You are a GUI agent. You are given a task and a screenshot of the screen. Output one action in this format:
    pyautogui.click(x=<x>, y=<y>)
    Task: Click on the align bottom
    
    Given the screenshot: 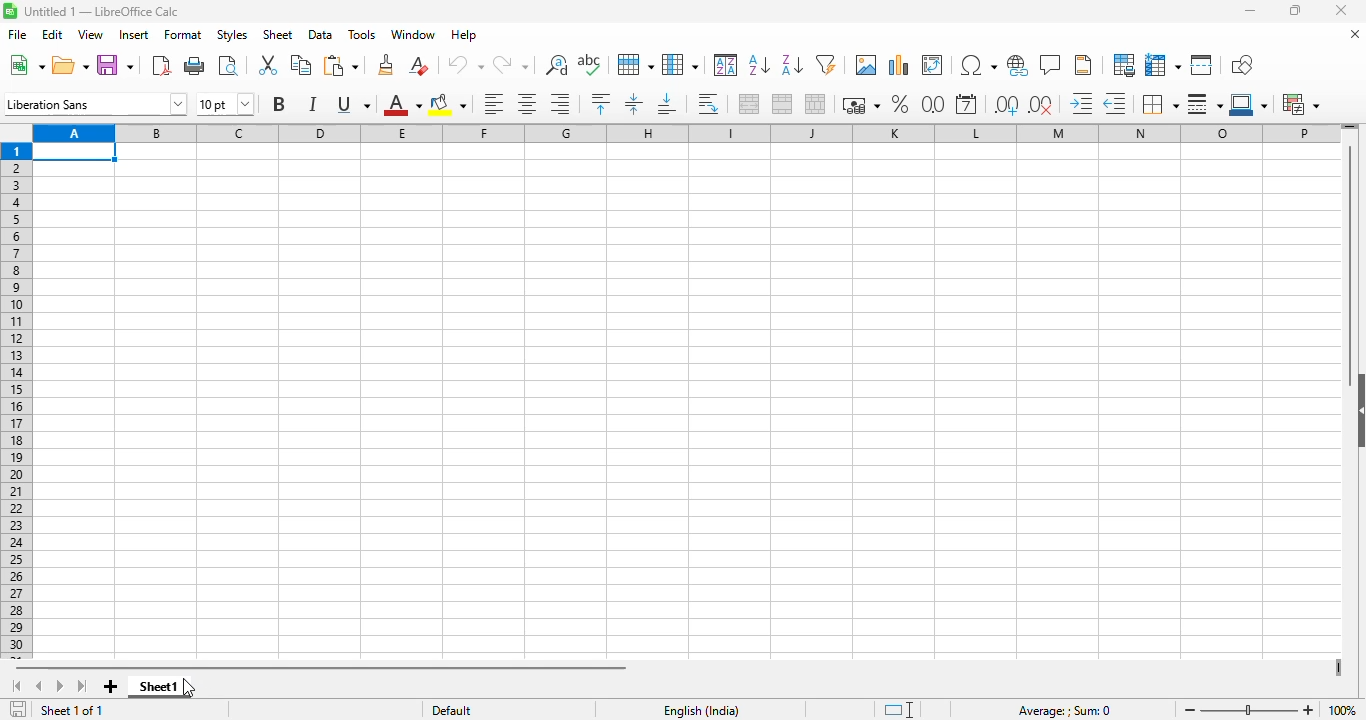 What is the action you would take?
    pyautogui.click(x=668, y=104)
    